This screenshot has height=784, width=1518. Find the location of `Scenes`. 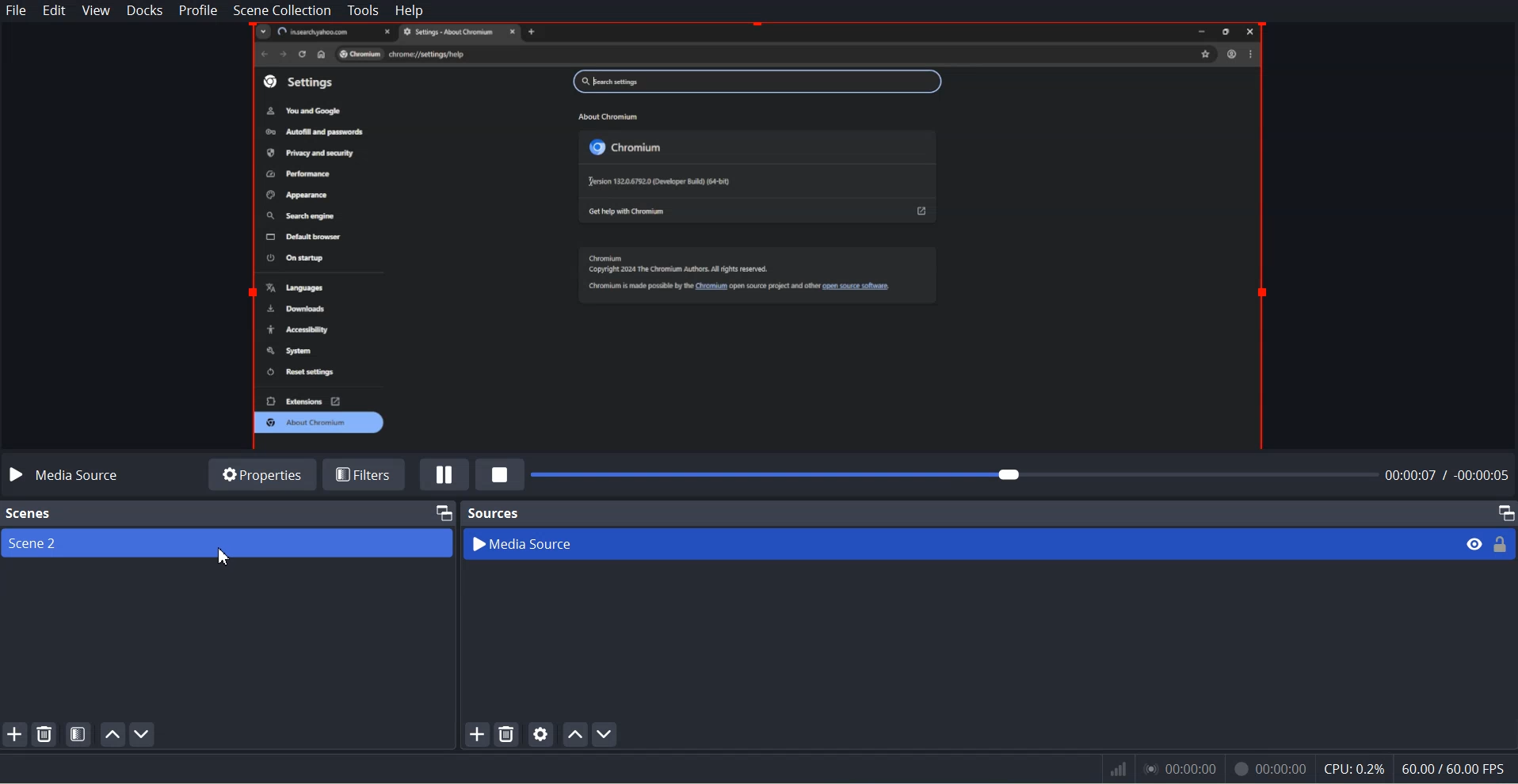

Scenes is located at coordinates (29, 514).